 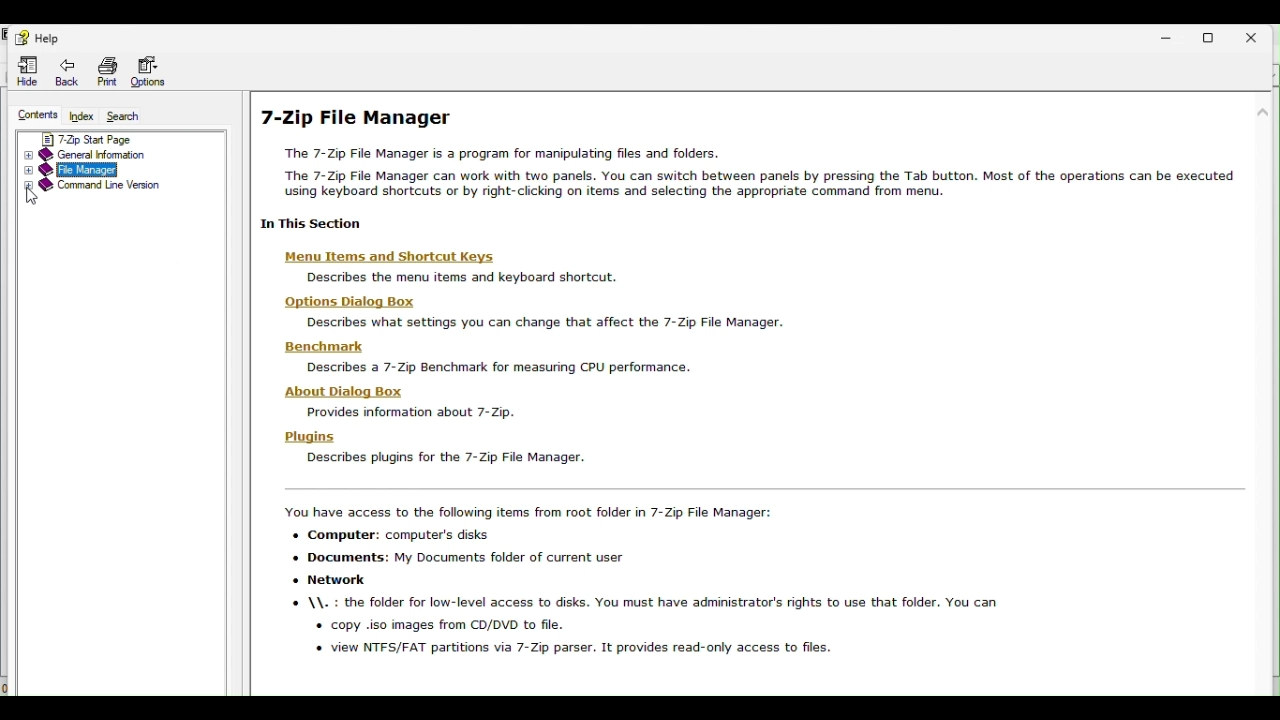 I want to click on Options Dialog Box, so click(x=345, y=302).